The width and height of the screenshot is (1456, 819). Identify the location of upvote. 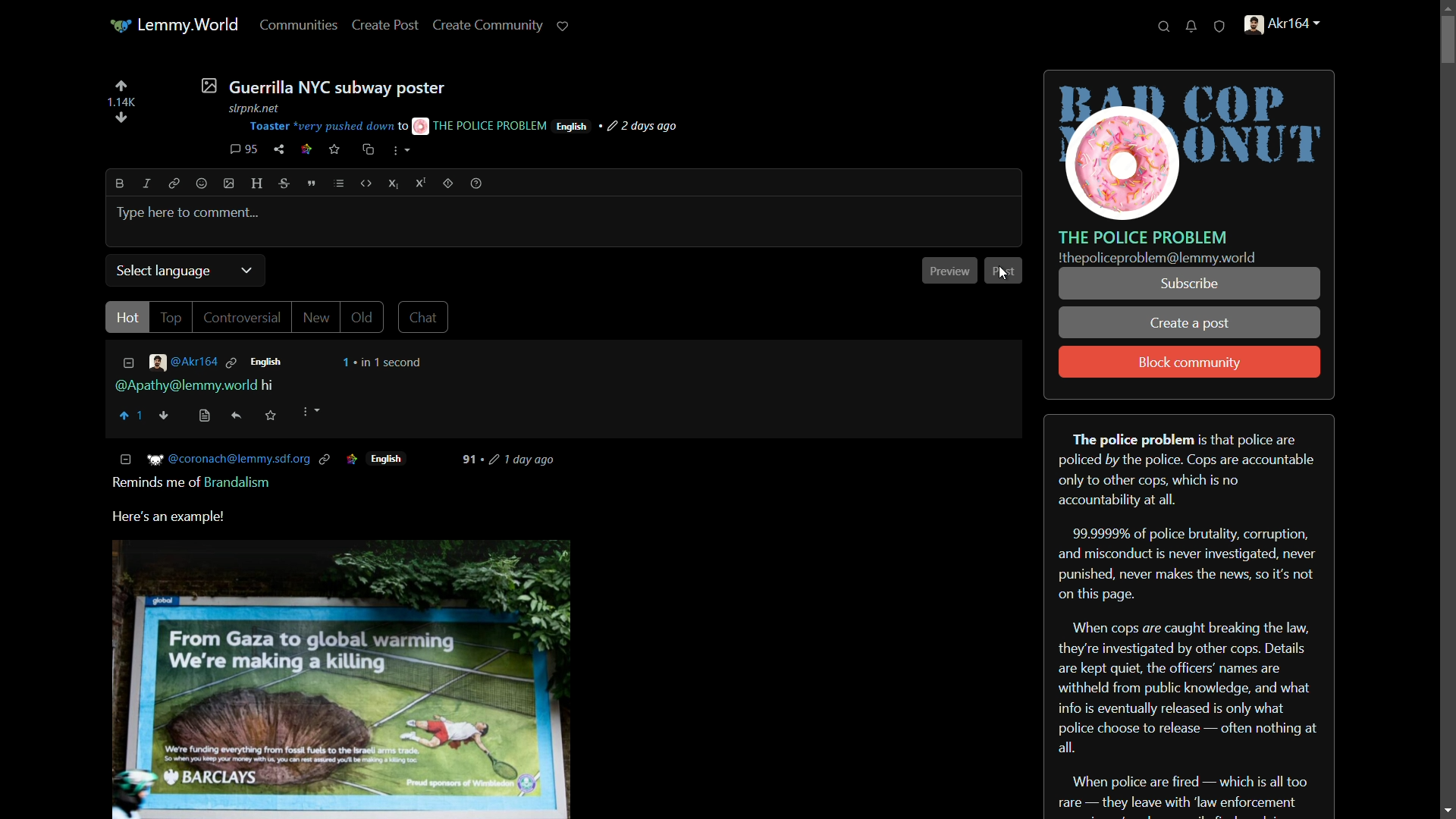
(131, 416).